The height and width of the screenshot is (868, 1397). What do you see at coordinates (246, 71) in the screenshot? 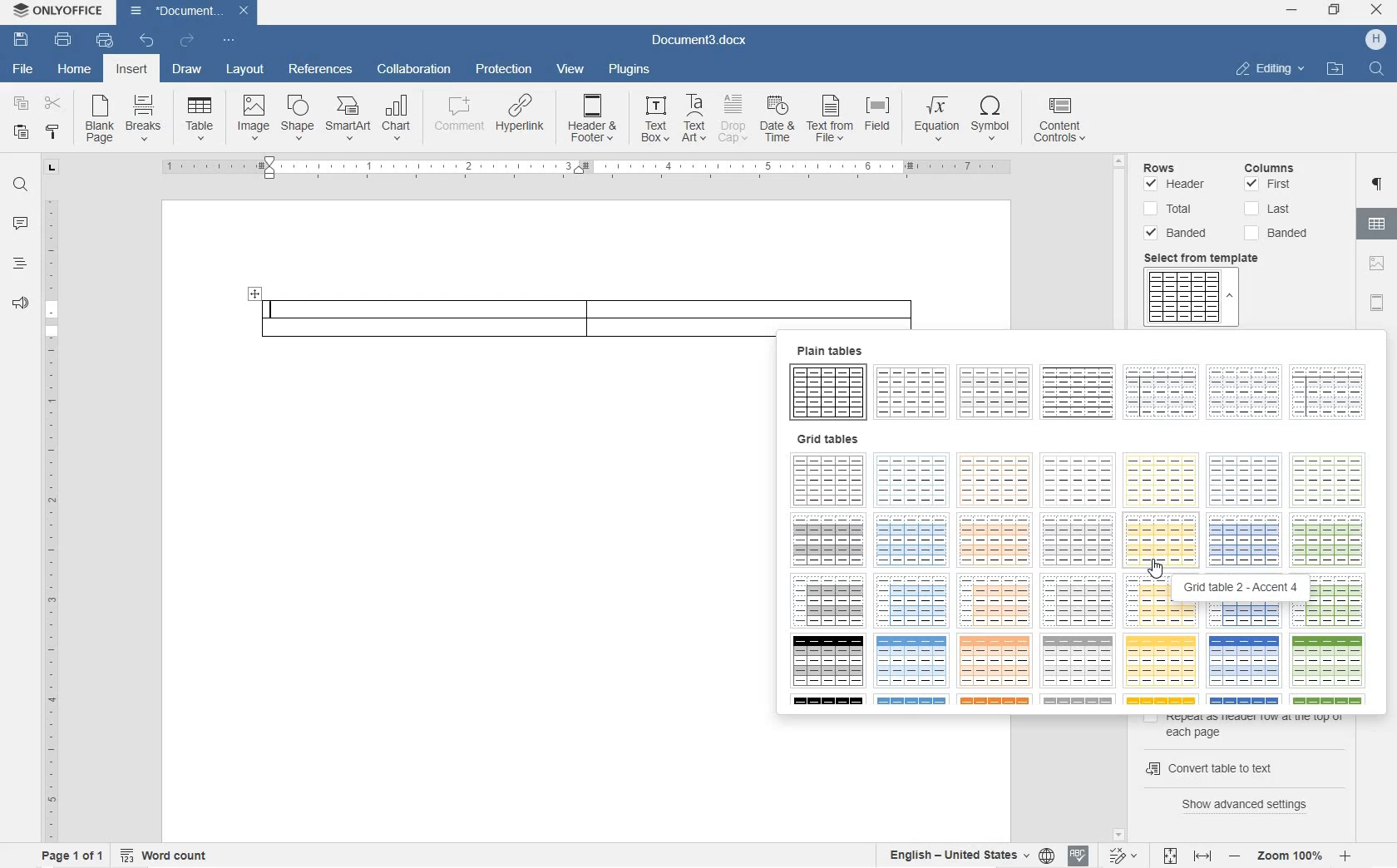
I see `LAYOUT` at bounding box center [246, 71].